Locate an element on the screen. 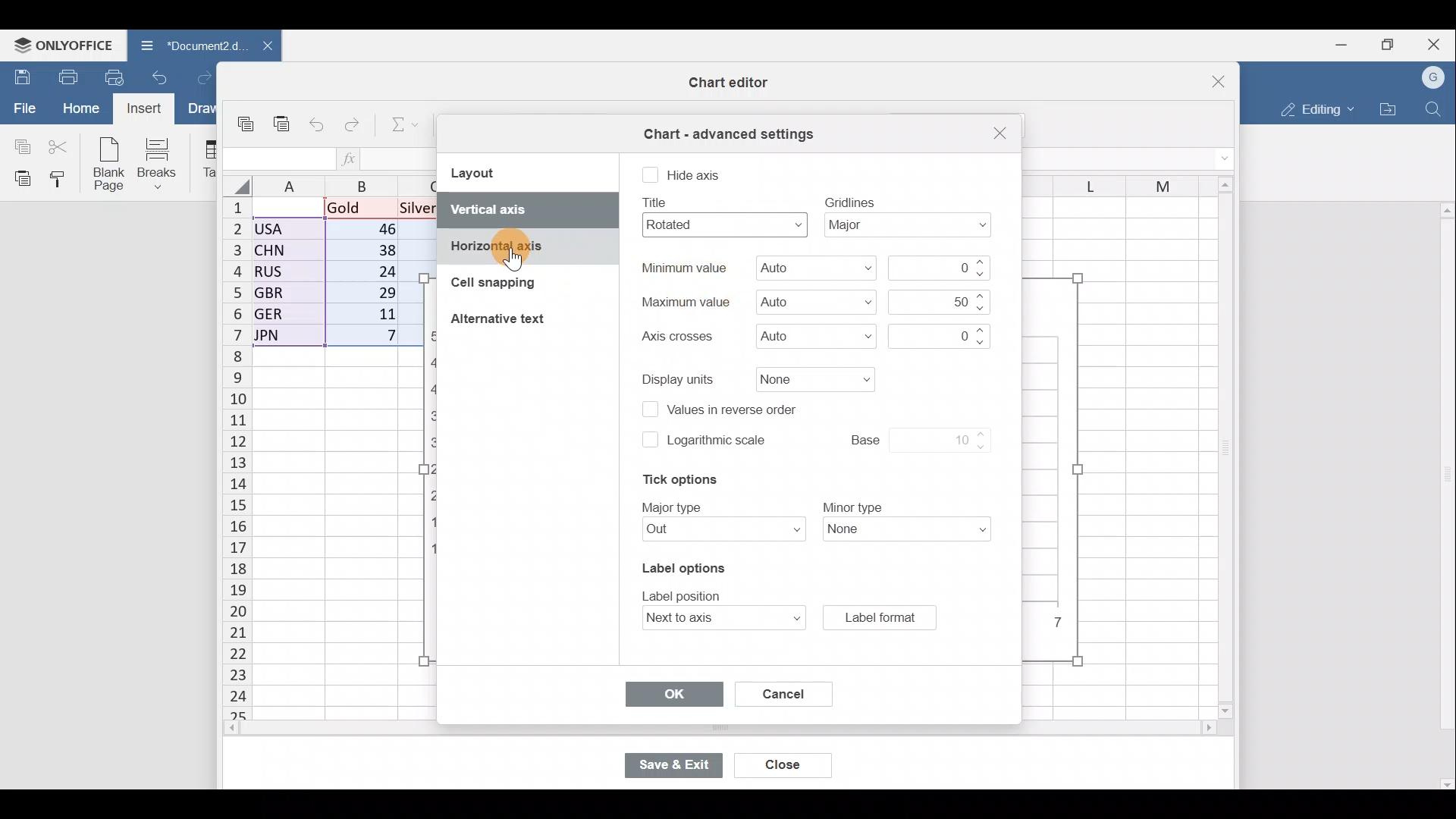  checkbox is located at coordinates (650, 176).